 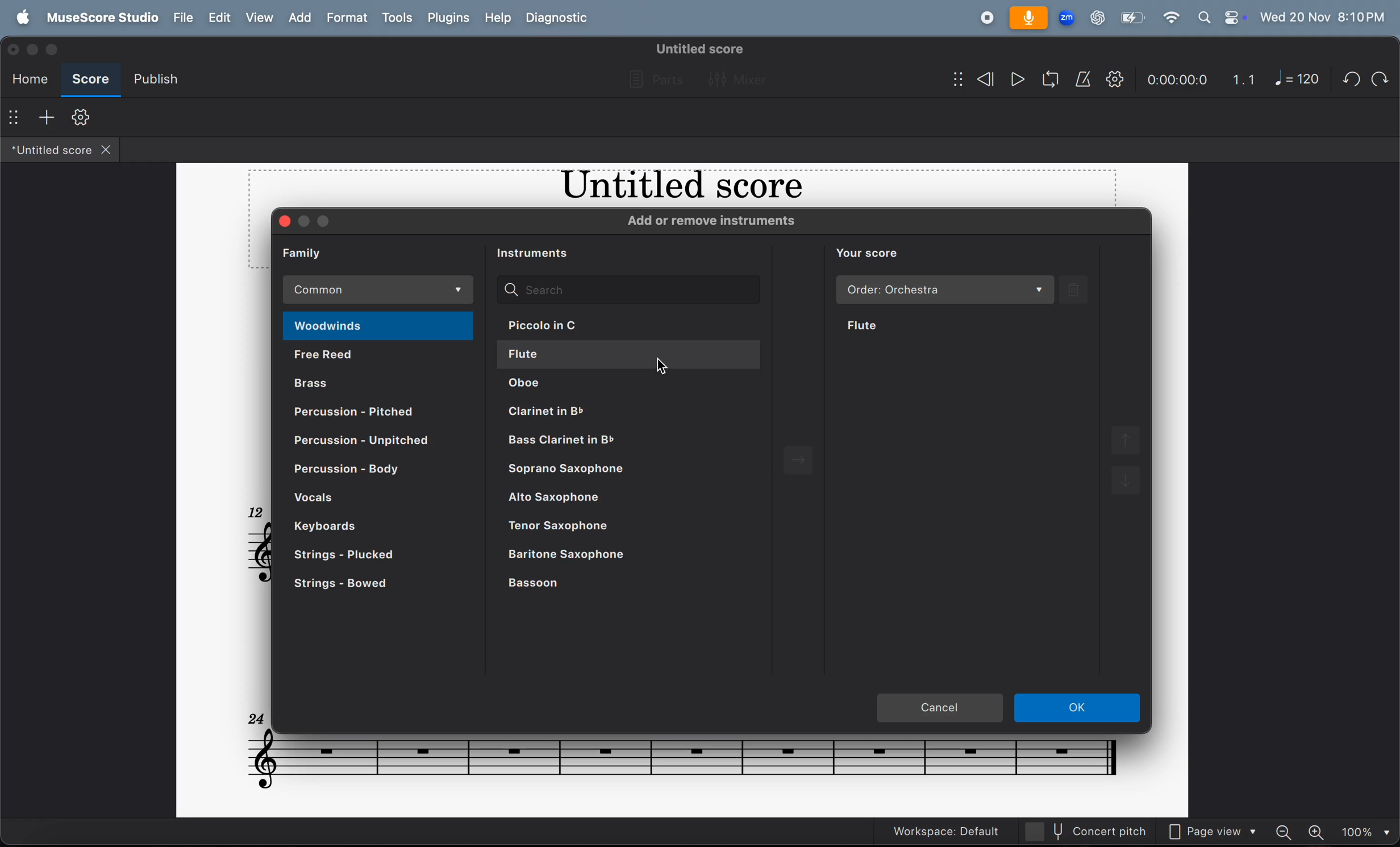 What do you see at coordinates (361, 474) in the screenshot?
I see `percusion body` at bounding box center [361, 474].